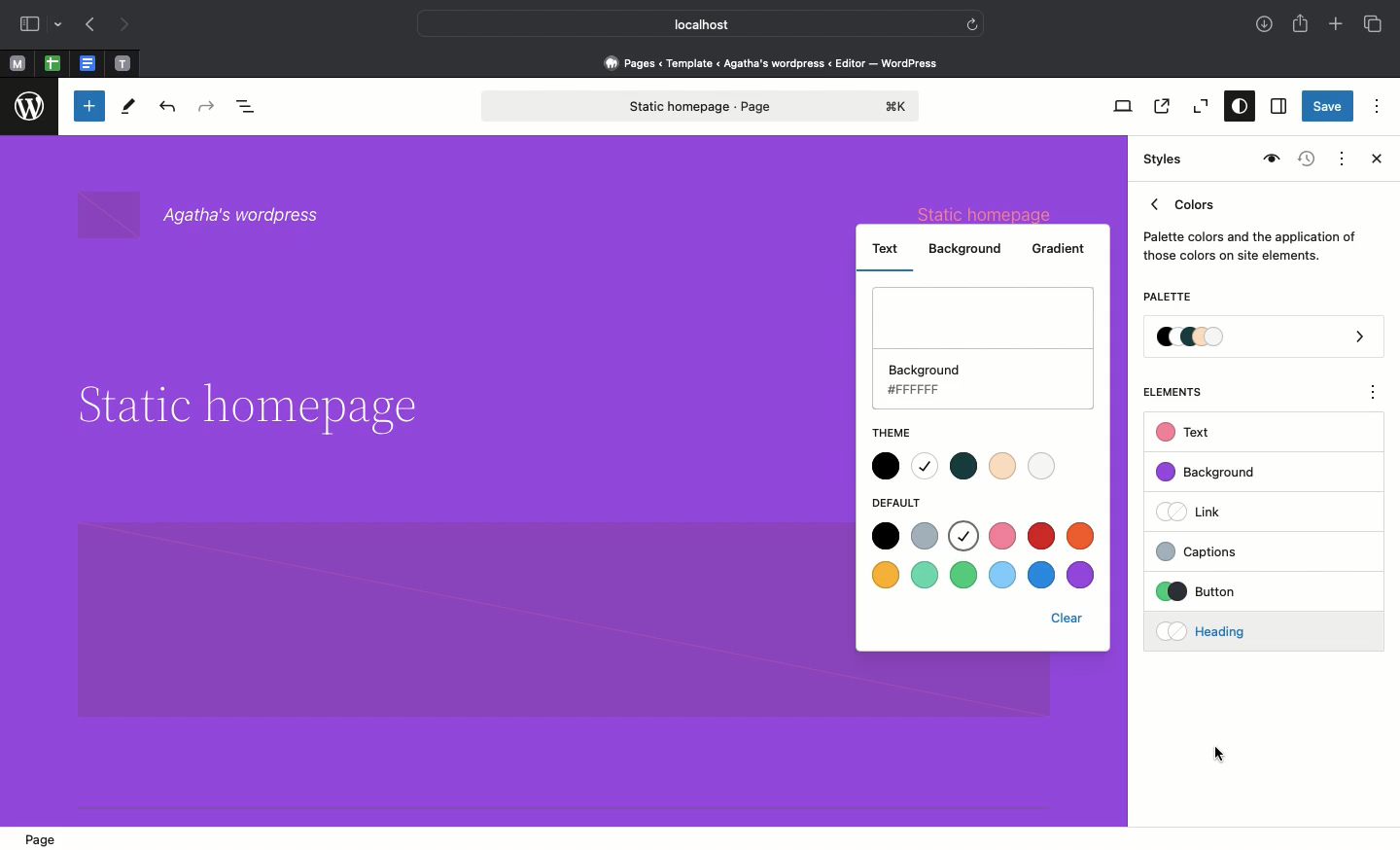 This screenshot has height=850, width=1400. Describe the element at coordinates (989, 212) in the screenshot. I see `static homepage` at that location.